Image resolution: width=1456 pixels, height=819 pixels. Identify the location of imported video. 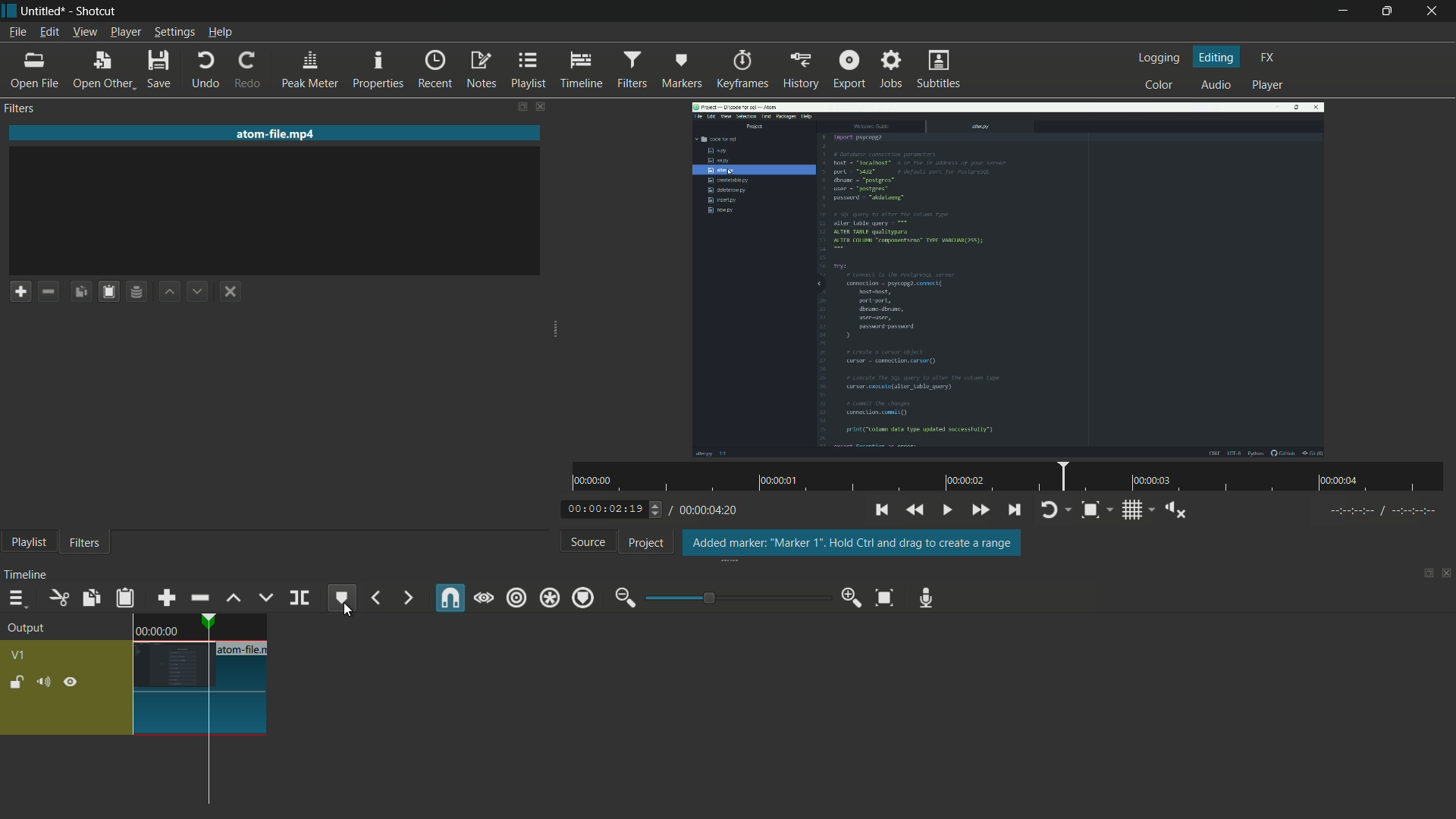
(1009, 280).